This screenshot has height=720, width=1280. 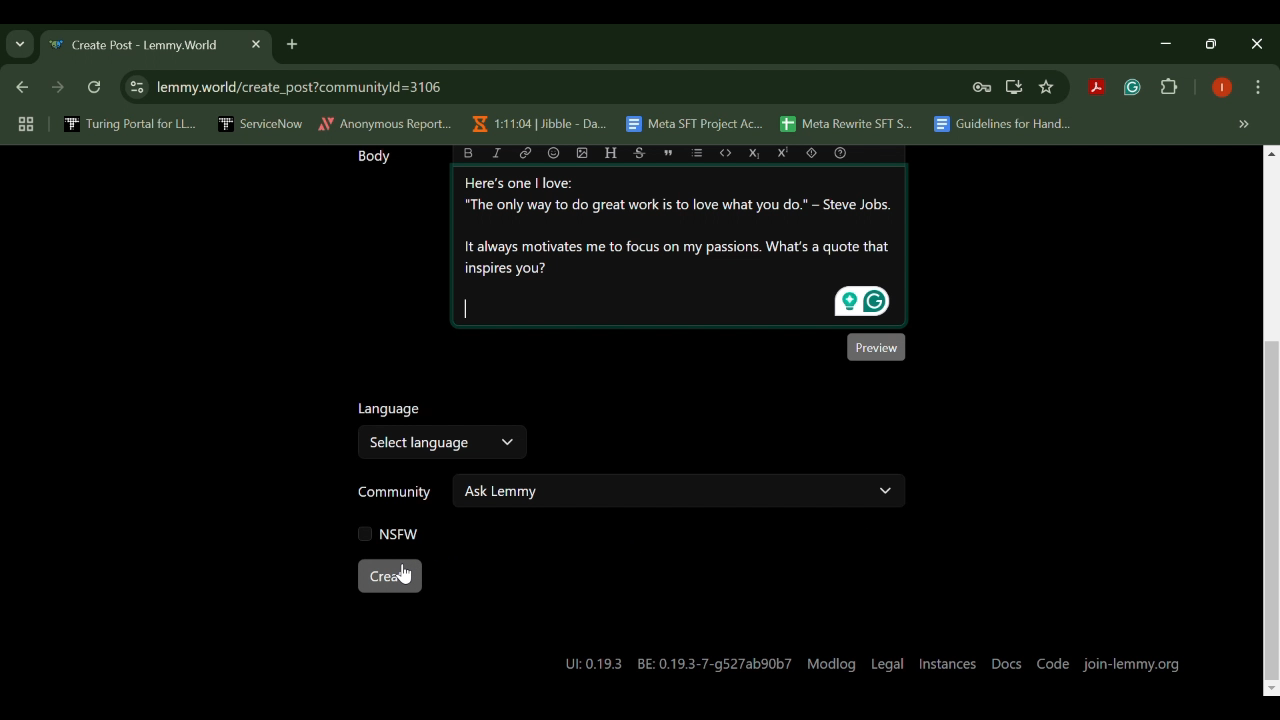 What do you see at coordinates (693, 125) in the screenshot?
I see `Meta SFT Project Ac...` at bounding box center [693, 125].